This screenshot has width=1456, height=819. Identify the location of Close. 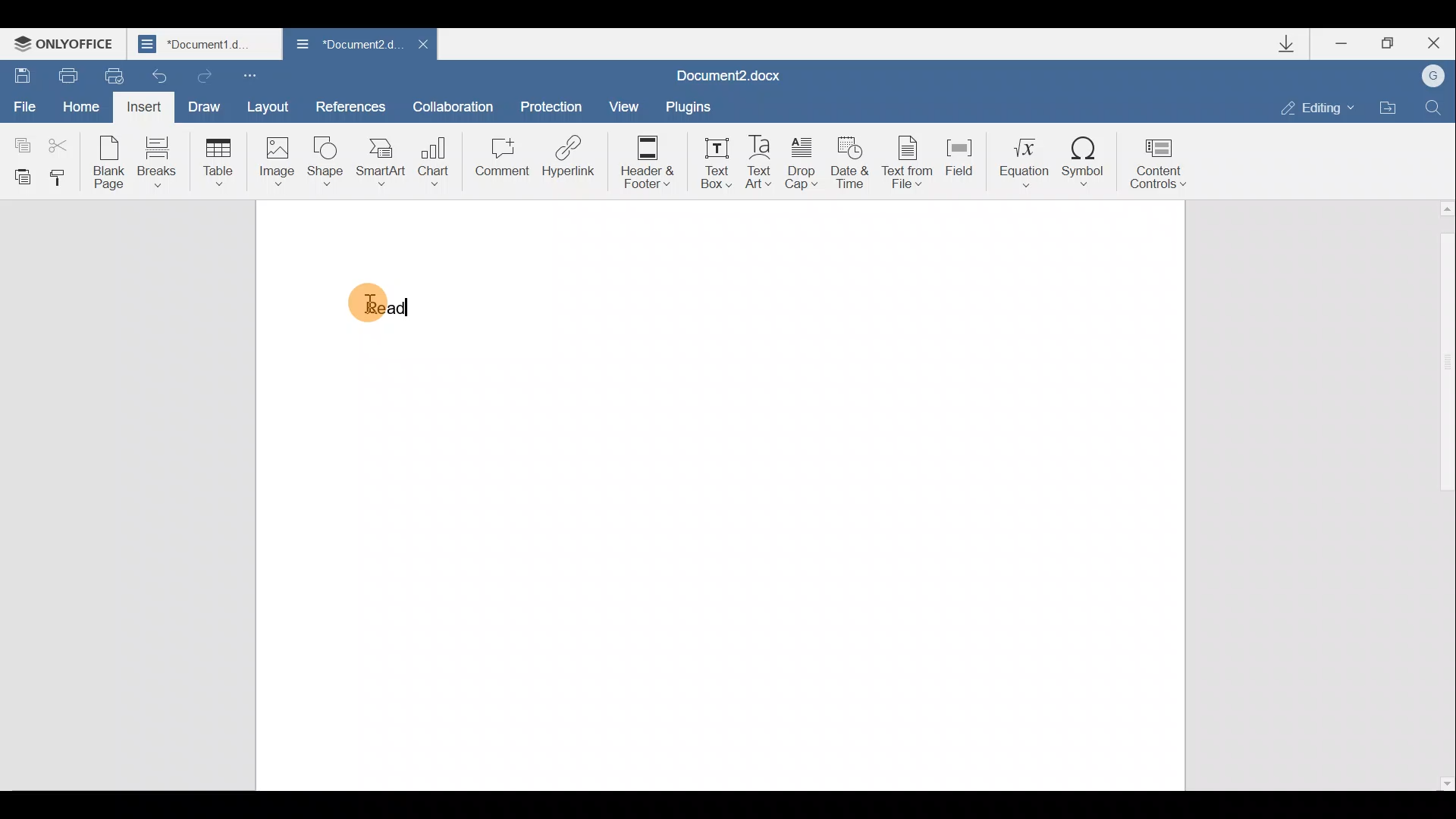
(423, 44).